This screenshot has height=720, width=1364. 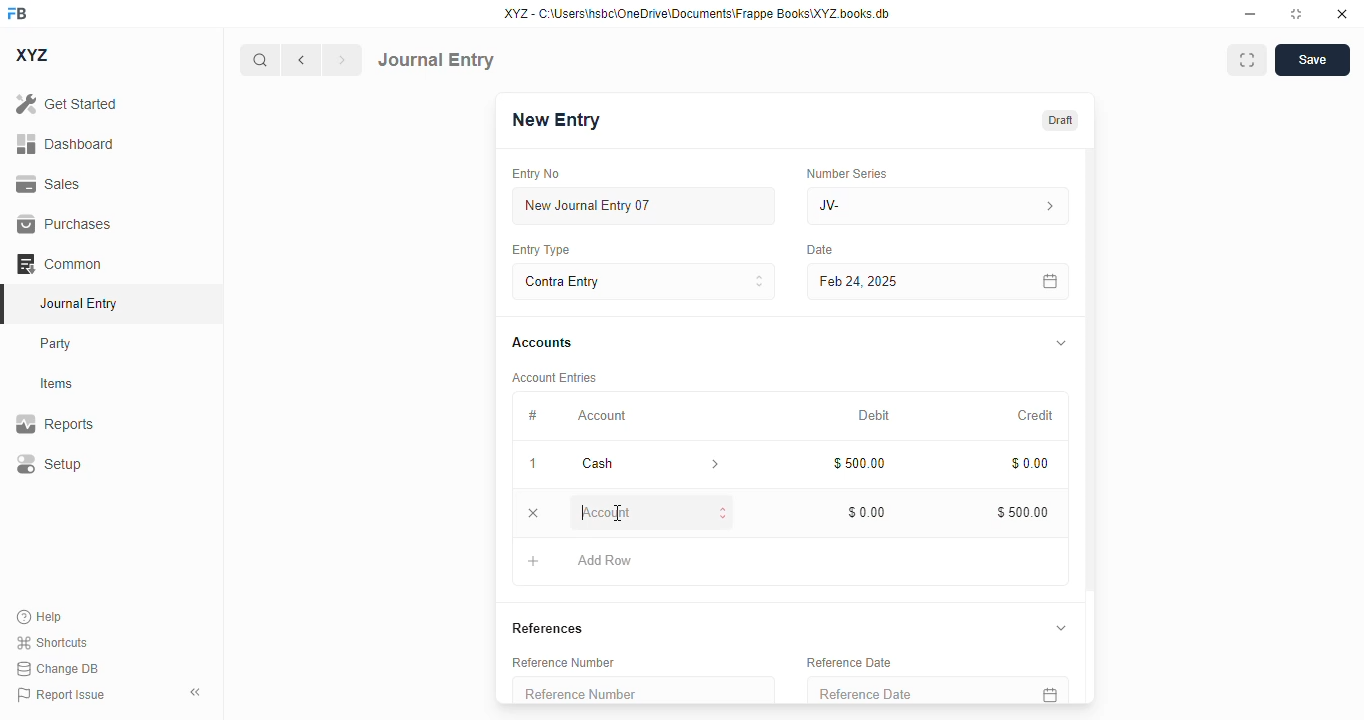 I want to click on new entry, so click(x=557, y=119).